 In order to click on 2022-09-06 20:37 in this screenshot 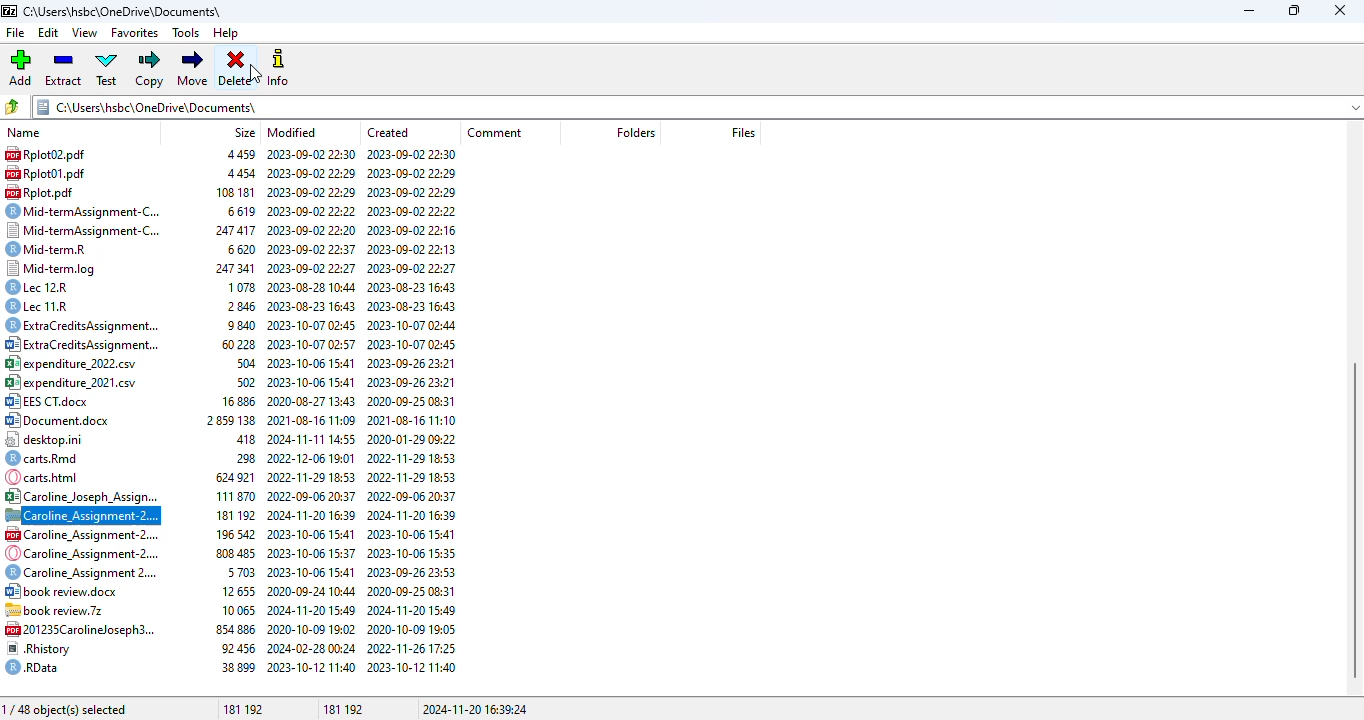, I will do `click(312, 495)`.